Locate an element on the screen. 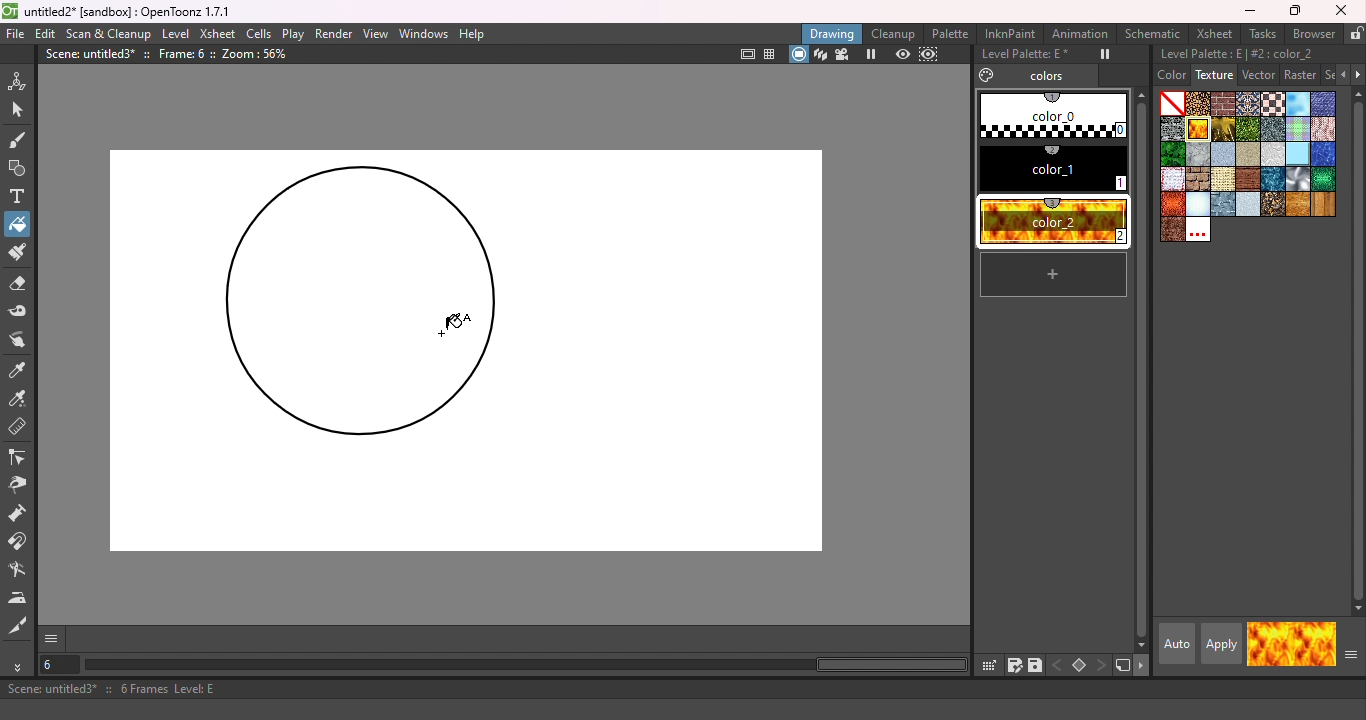 This screenshot has width=1366, height=720. Style picker tool is located at coordinates (23, 371).